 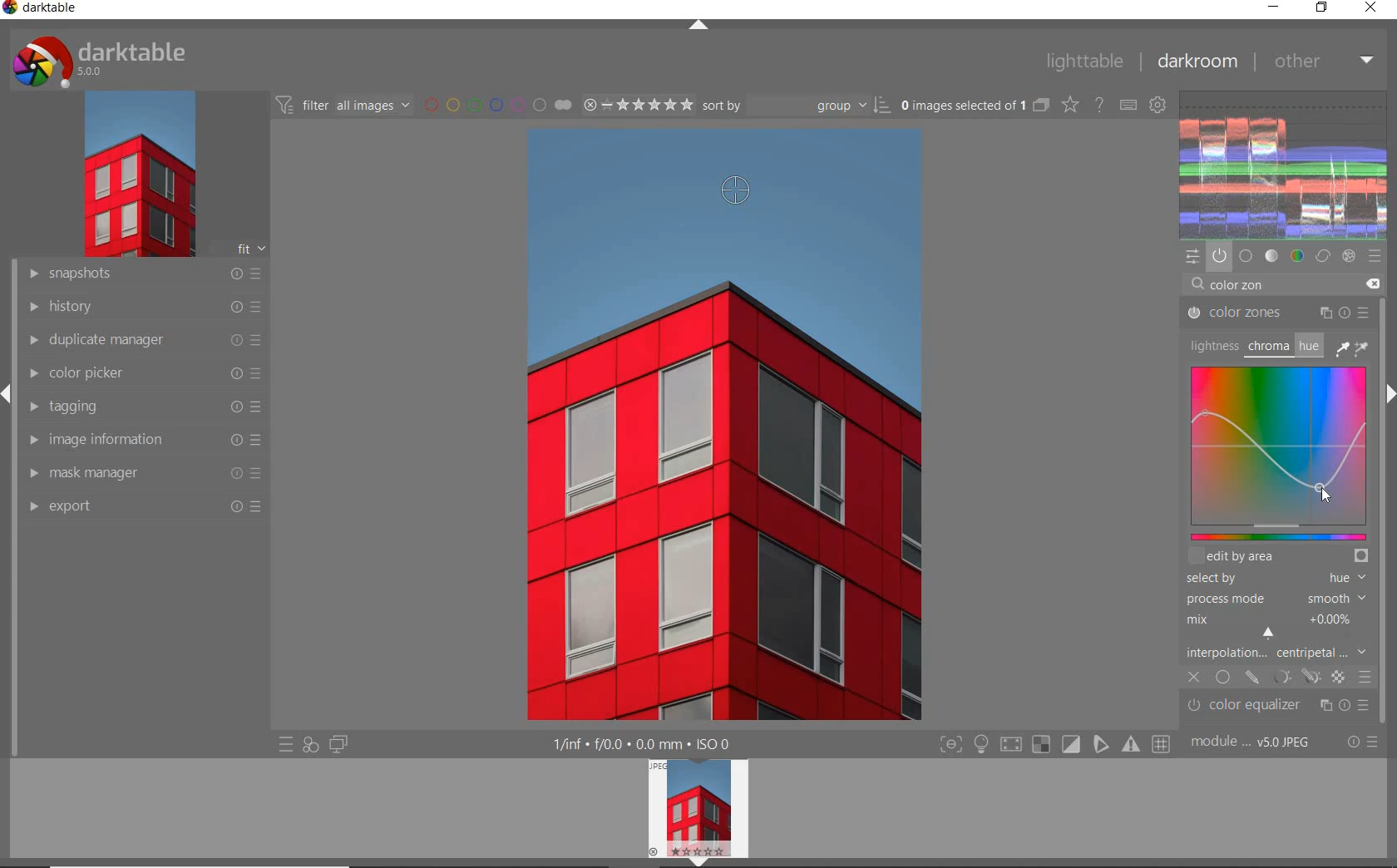 What do you see at coordinates (140, 342) in the screenshot?
I see `duplicate manager` at bounding box center [140, 342].